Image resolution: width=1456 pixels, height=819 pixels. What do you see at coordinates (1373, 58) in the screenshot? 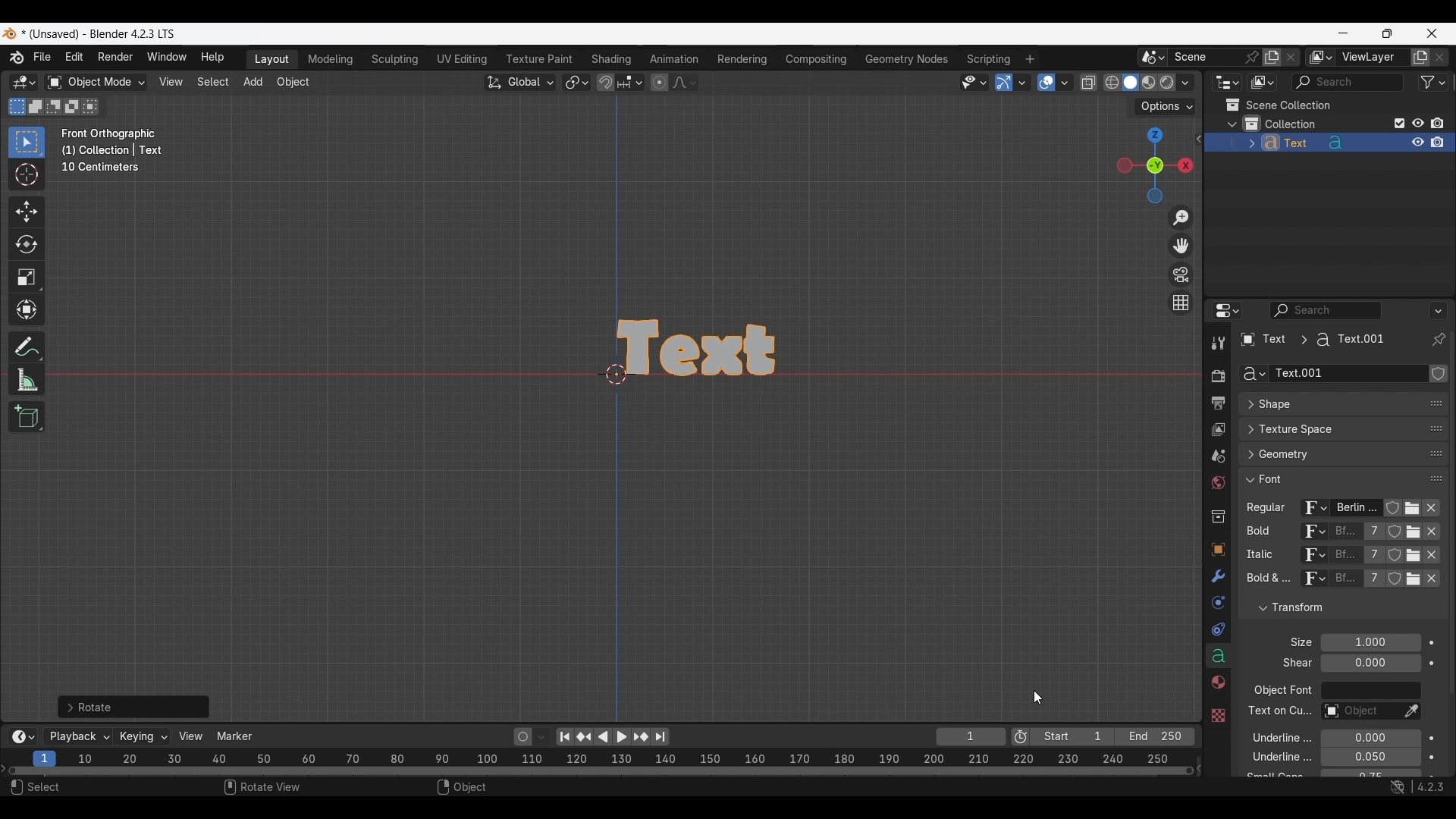
I see `Name view layer` at bounding box center [1373, 58].